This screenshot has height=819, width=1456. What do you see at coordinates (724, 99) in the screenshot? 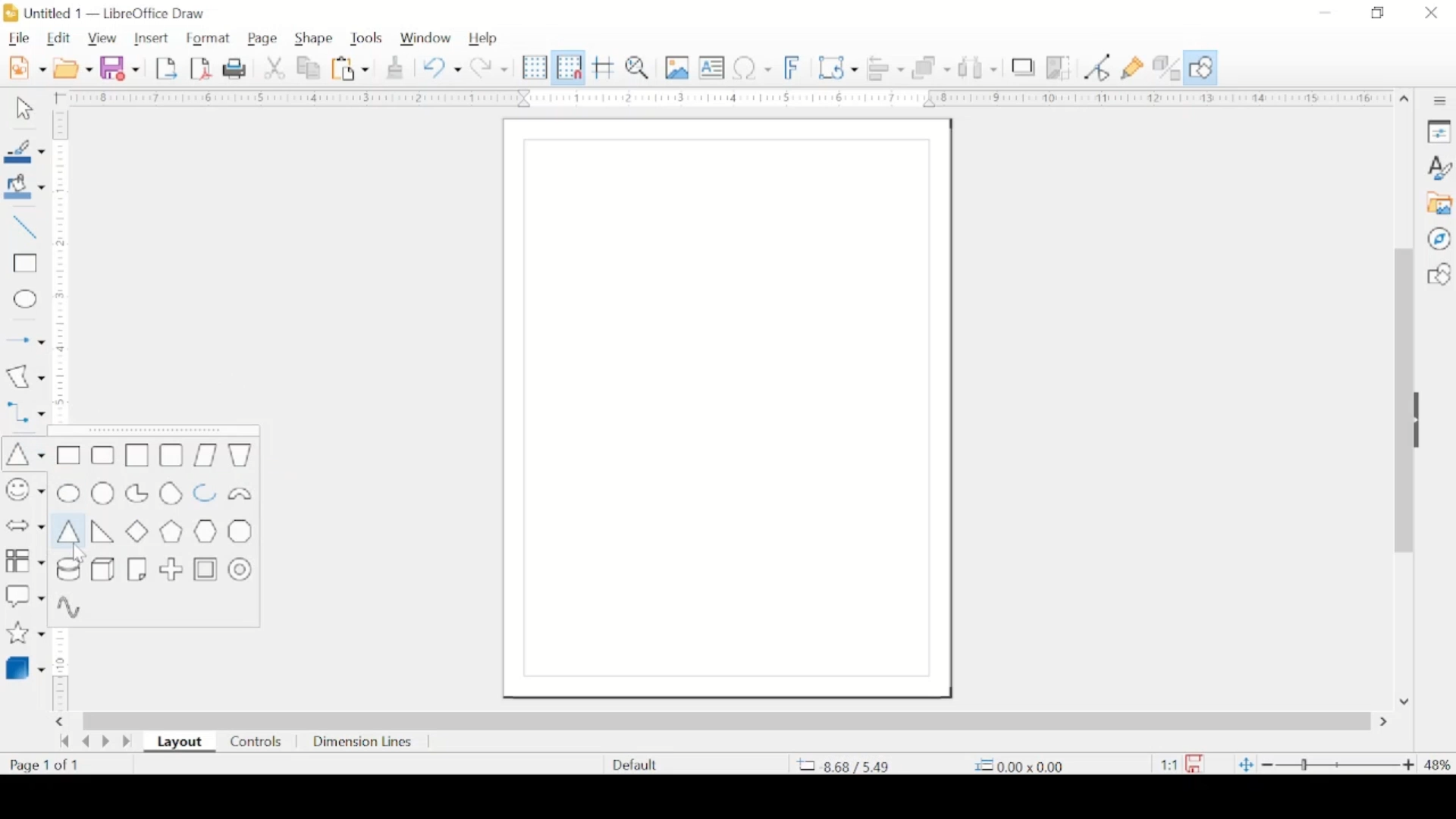
I see `margin` at bounding box center [724, 99].